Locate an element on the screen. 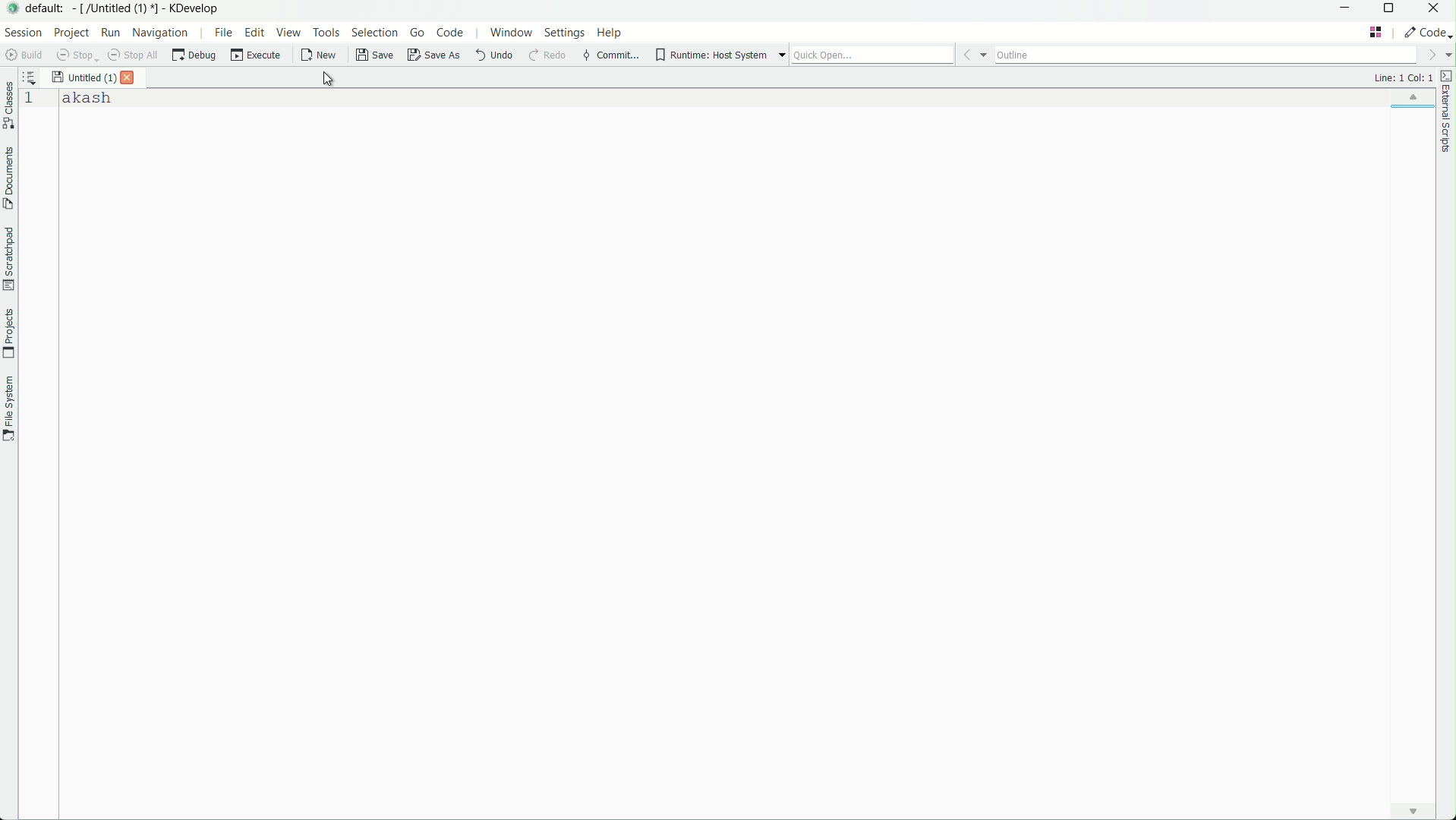 This screenshot has height=820, width=1456. undo is located at coordinates (496, 55).